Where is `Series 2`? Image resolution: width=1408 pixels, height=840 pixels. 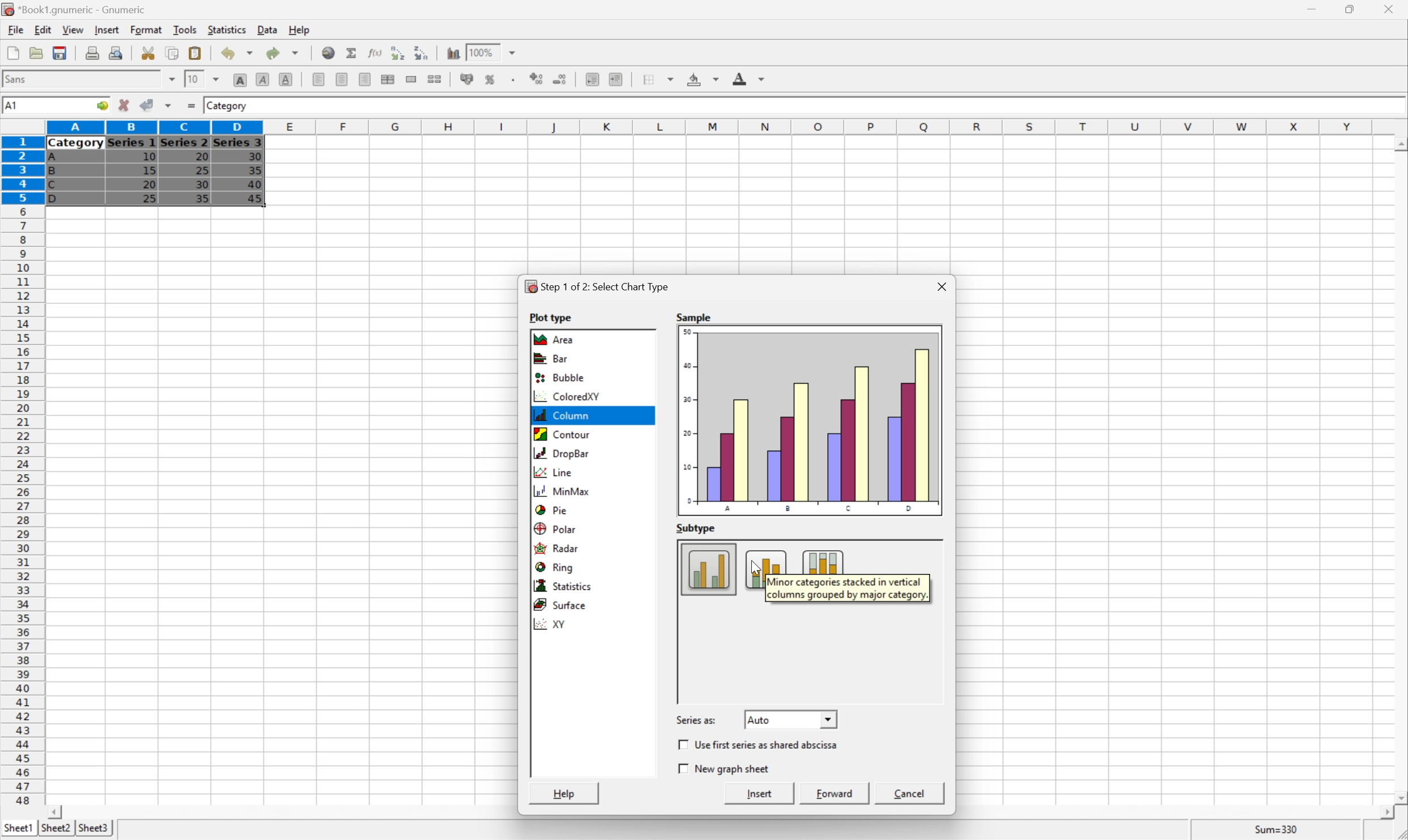 Series 2 is located at coordinates (183, 142).